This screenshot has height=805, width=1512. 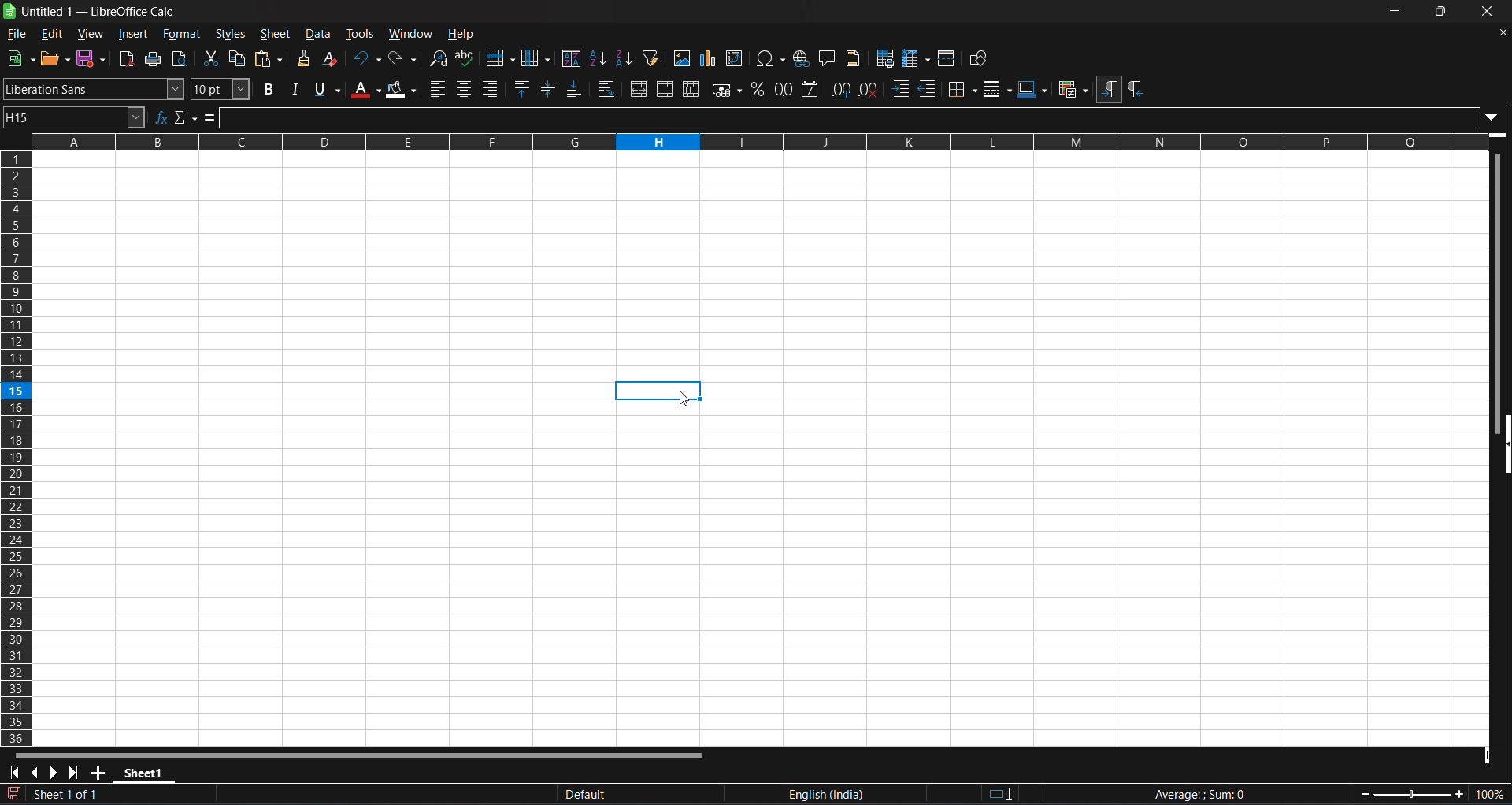 I want to click on standard selection, so click(x=1010, y=792).